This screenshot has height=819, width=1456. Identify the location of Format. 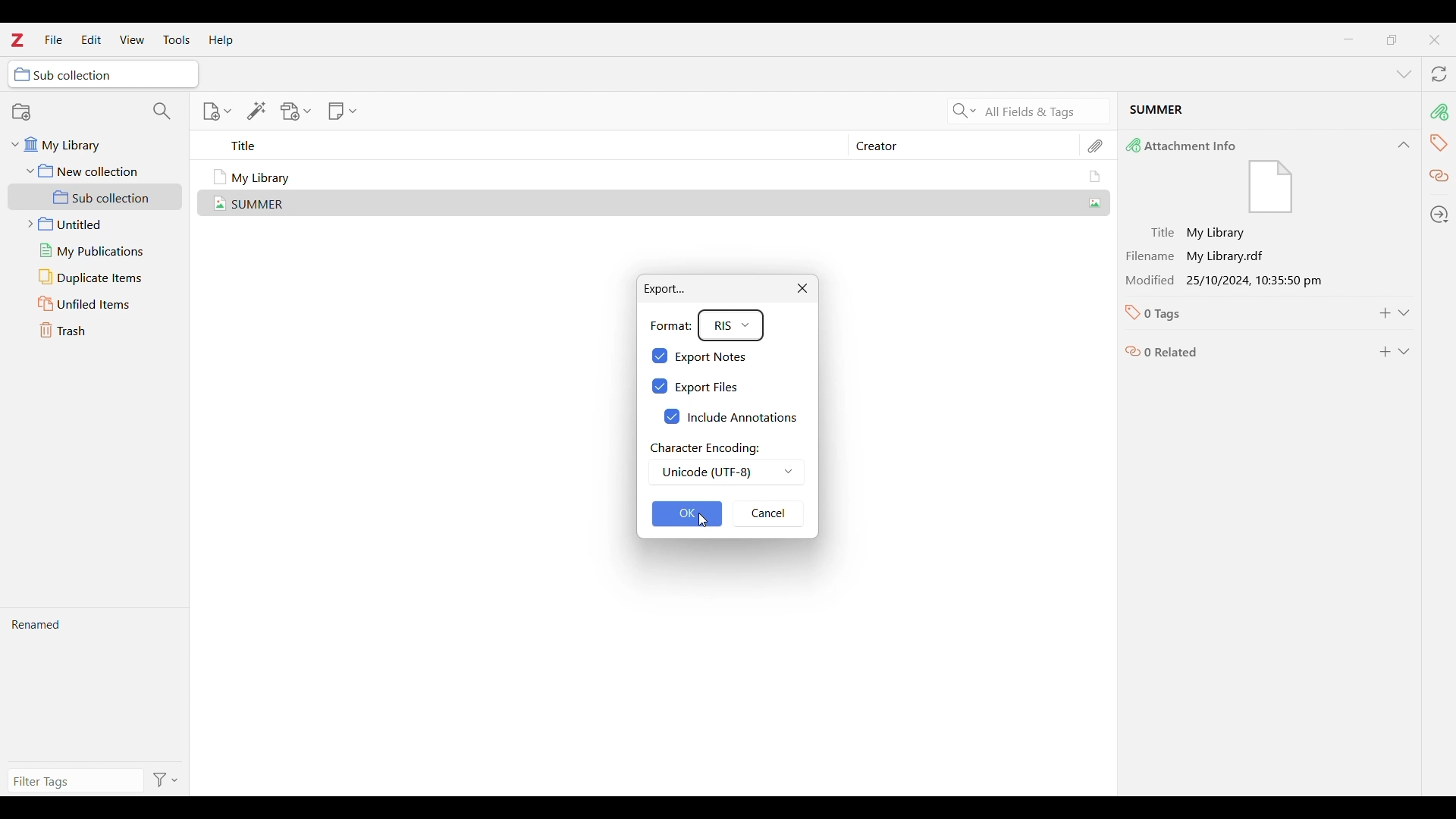
(668, 326).